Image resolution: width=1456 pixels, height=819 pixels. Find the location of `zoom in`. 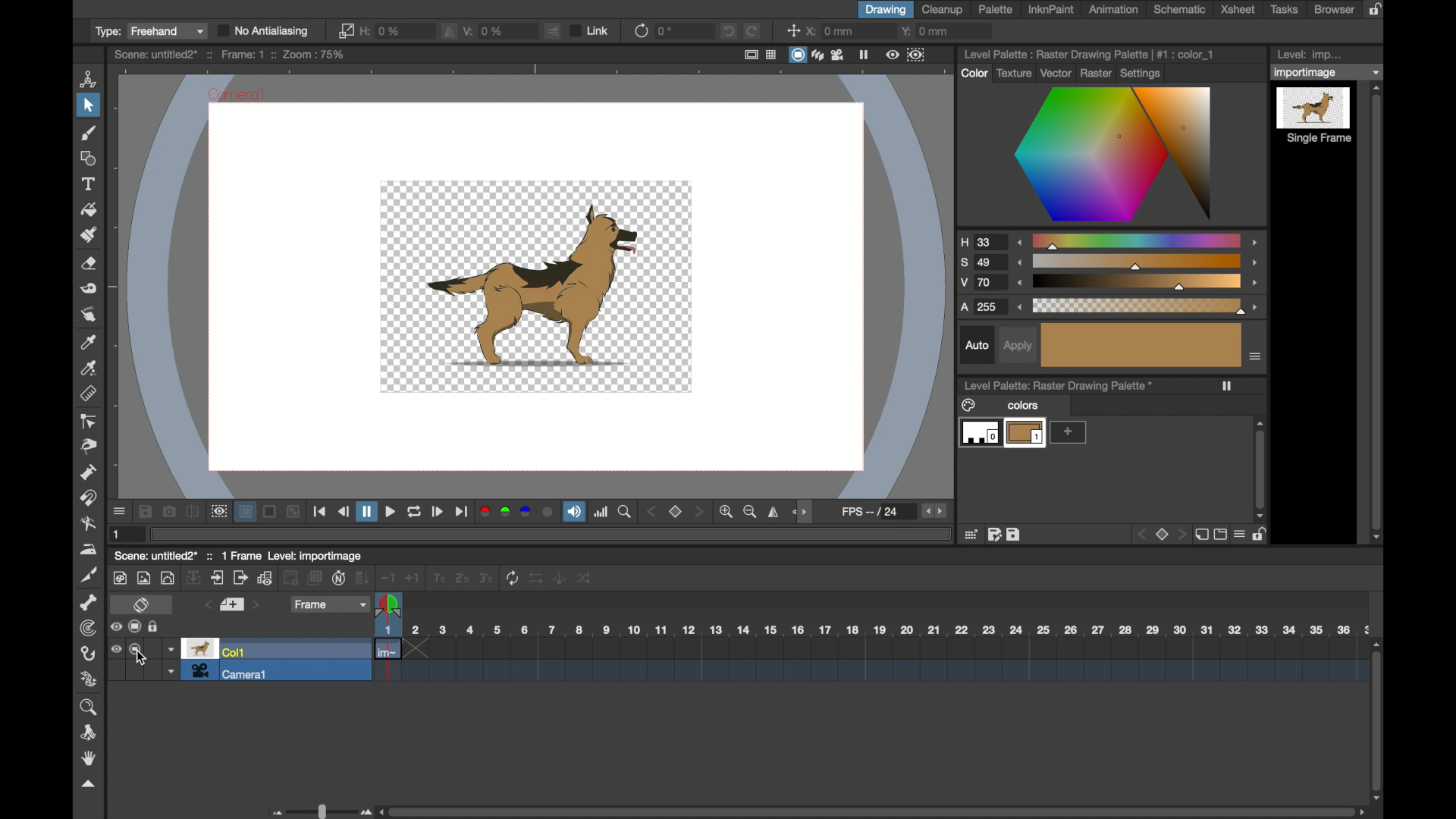

zoom in is located at coordinates (729, 512).